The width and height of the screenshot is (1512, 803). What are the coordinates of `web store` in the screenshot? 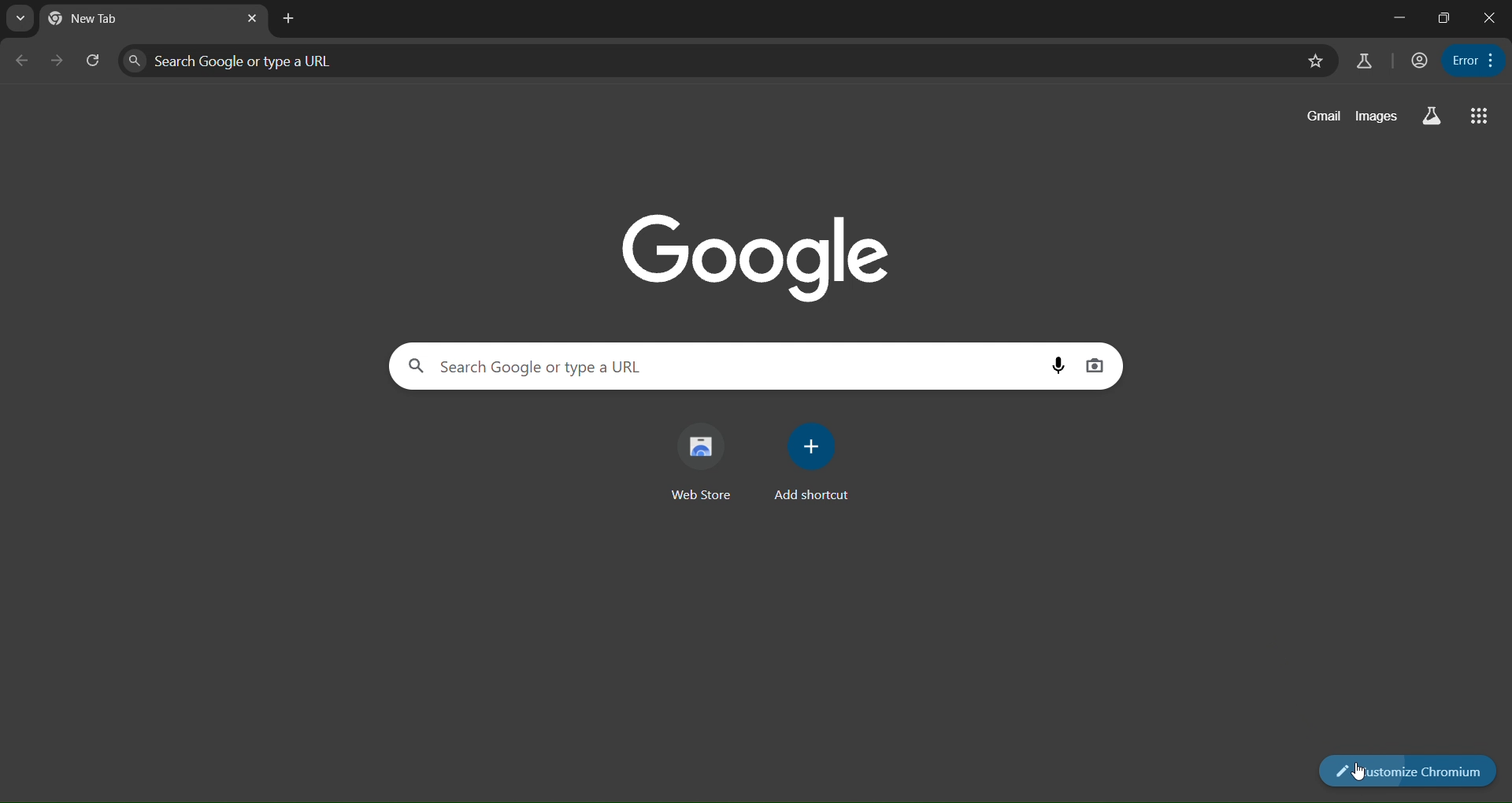 It's located at (707, 461).